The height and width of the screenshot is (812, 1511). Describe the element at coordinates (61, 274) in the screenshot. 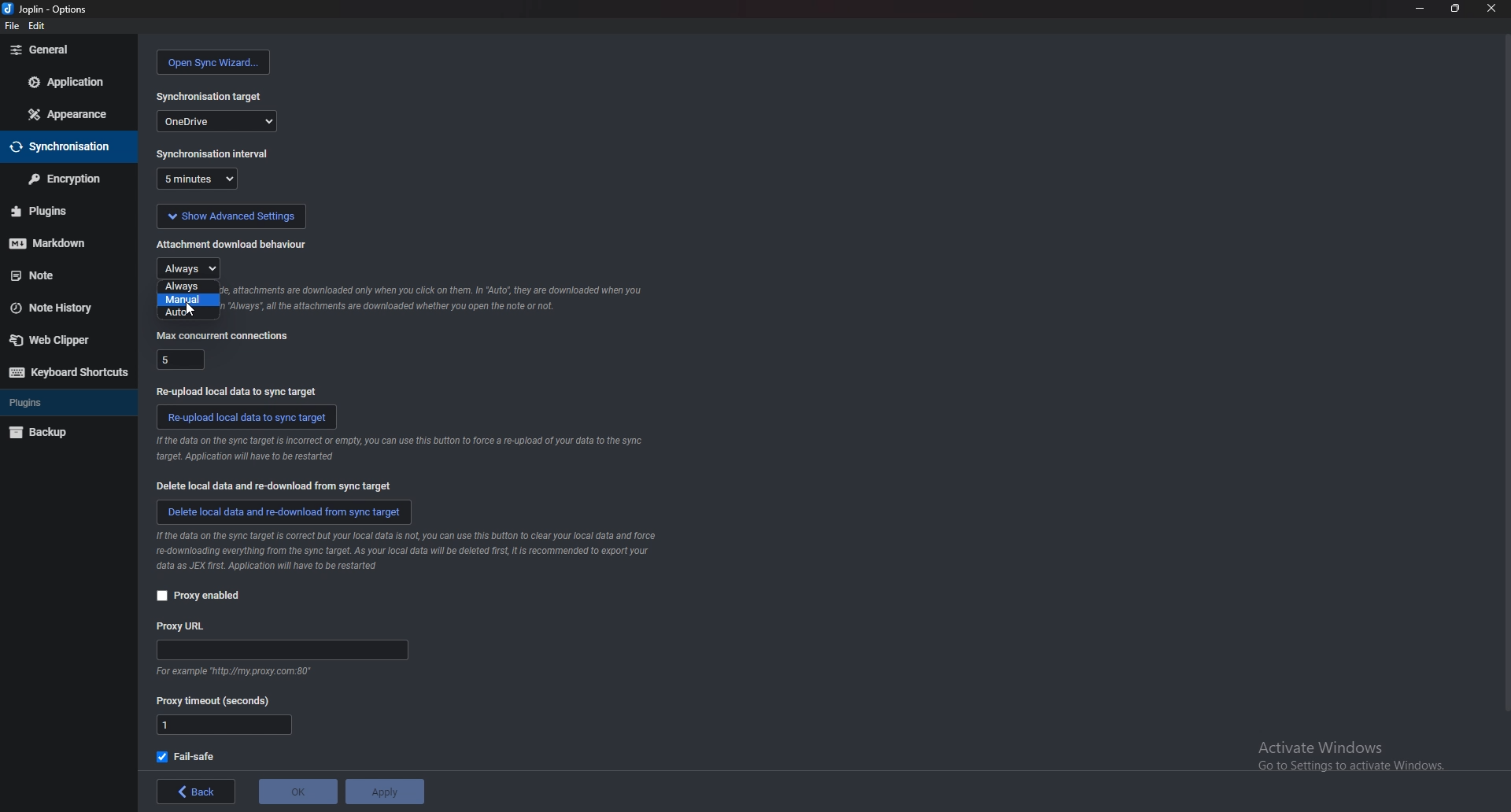

I see `note` at that location.